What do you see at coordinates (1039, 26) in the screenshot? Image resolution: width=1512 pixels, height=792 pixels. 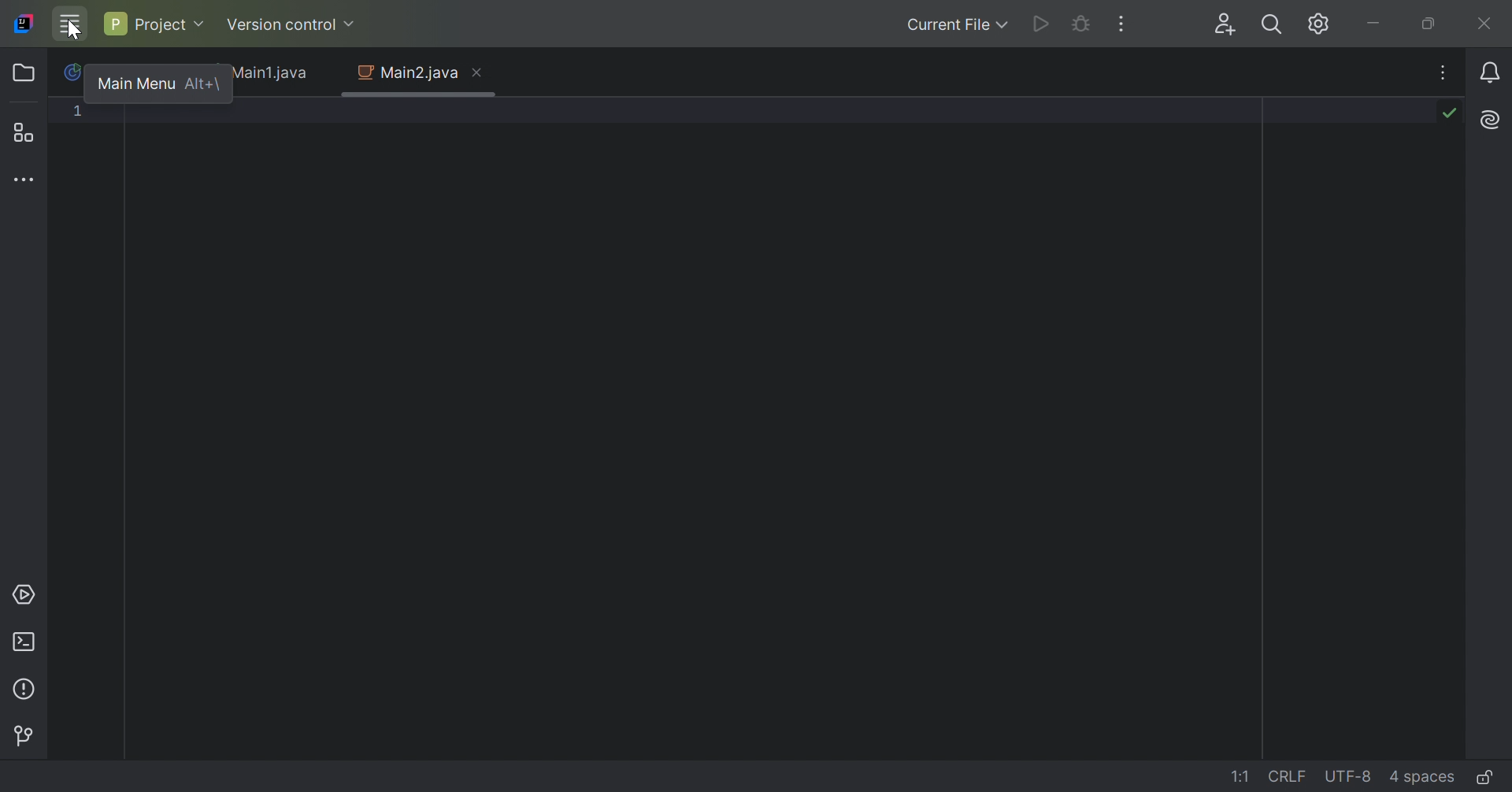 I see `Run` at bounding box center [1039, 26].